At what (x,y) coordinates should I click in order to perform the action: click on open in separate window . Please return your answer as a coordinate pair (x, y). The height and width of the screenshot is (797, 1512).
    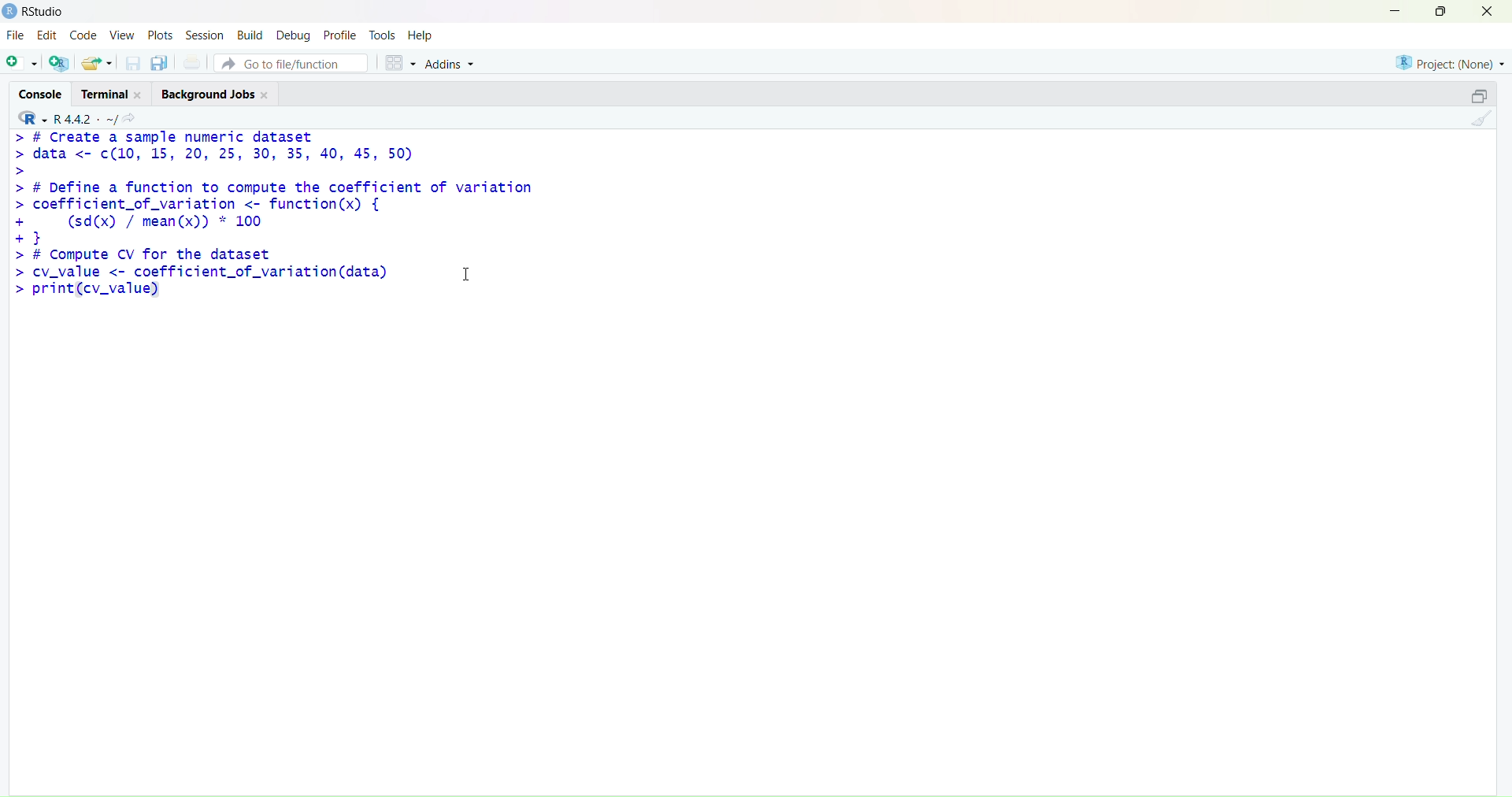
    Looking at the image, I should click on (1479, 95).